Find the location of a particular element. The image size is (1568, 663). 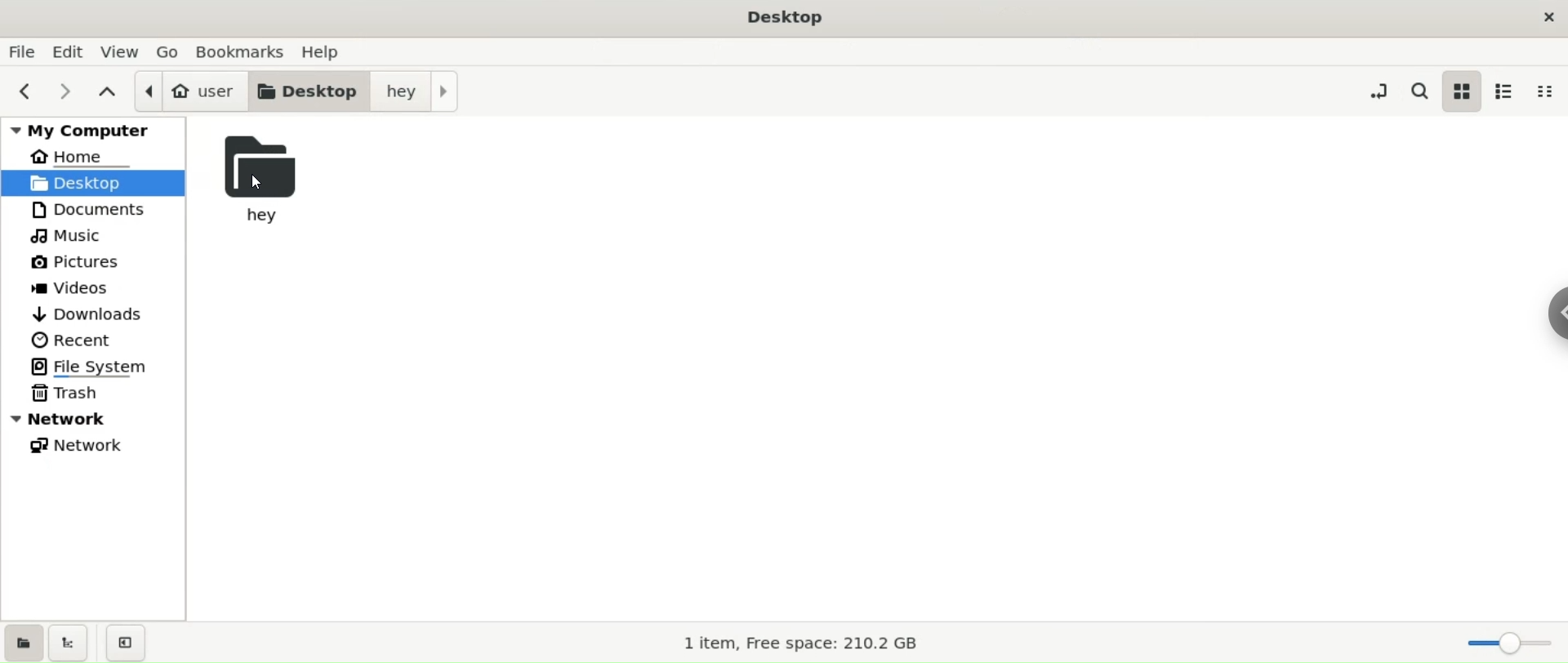

desktop is located at coordinates (306, 93).